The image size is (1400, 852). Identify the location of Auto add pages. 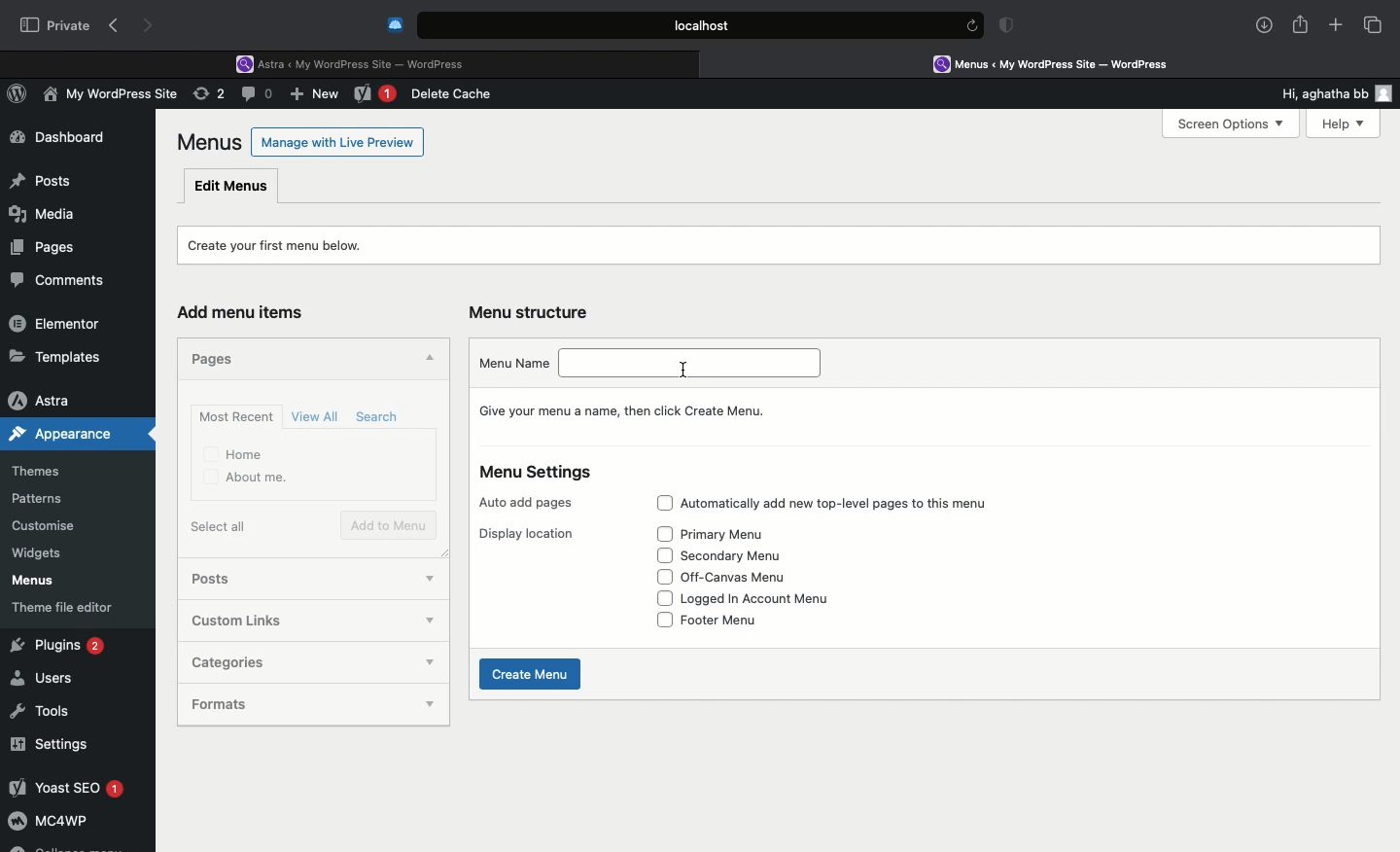
(530, 503).